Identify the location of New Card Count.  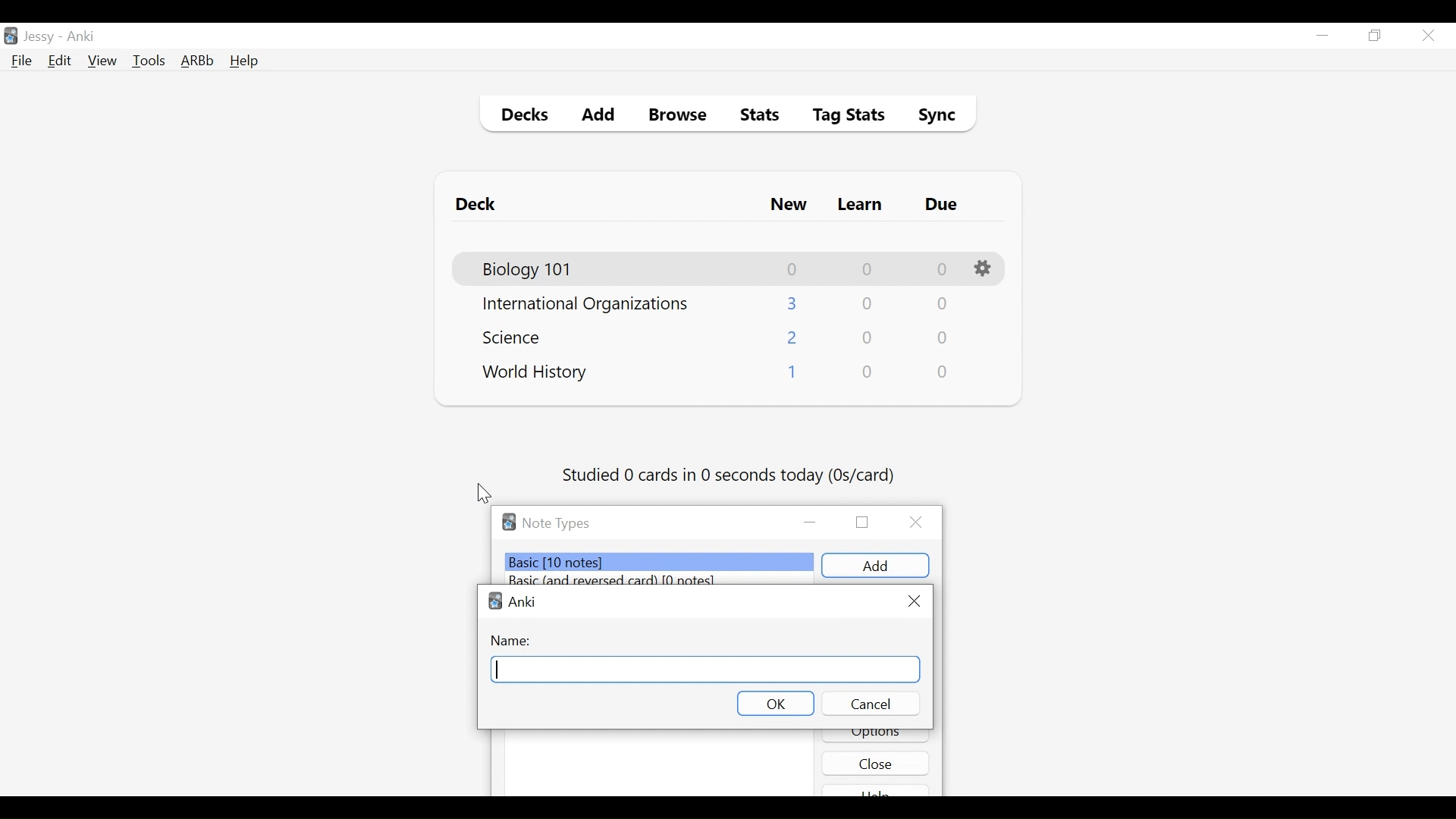
(793, 339).